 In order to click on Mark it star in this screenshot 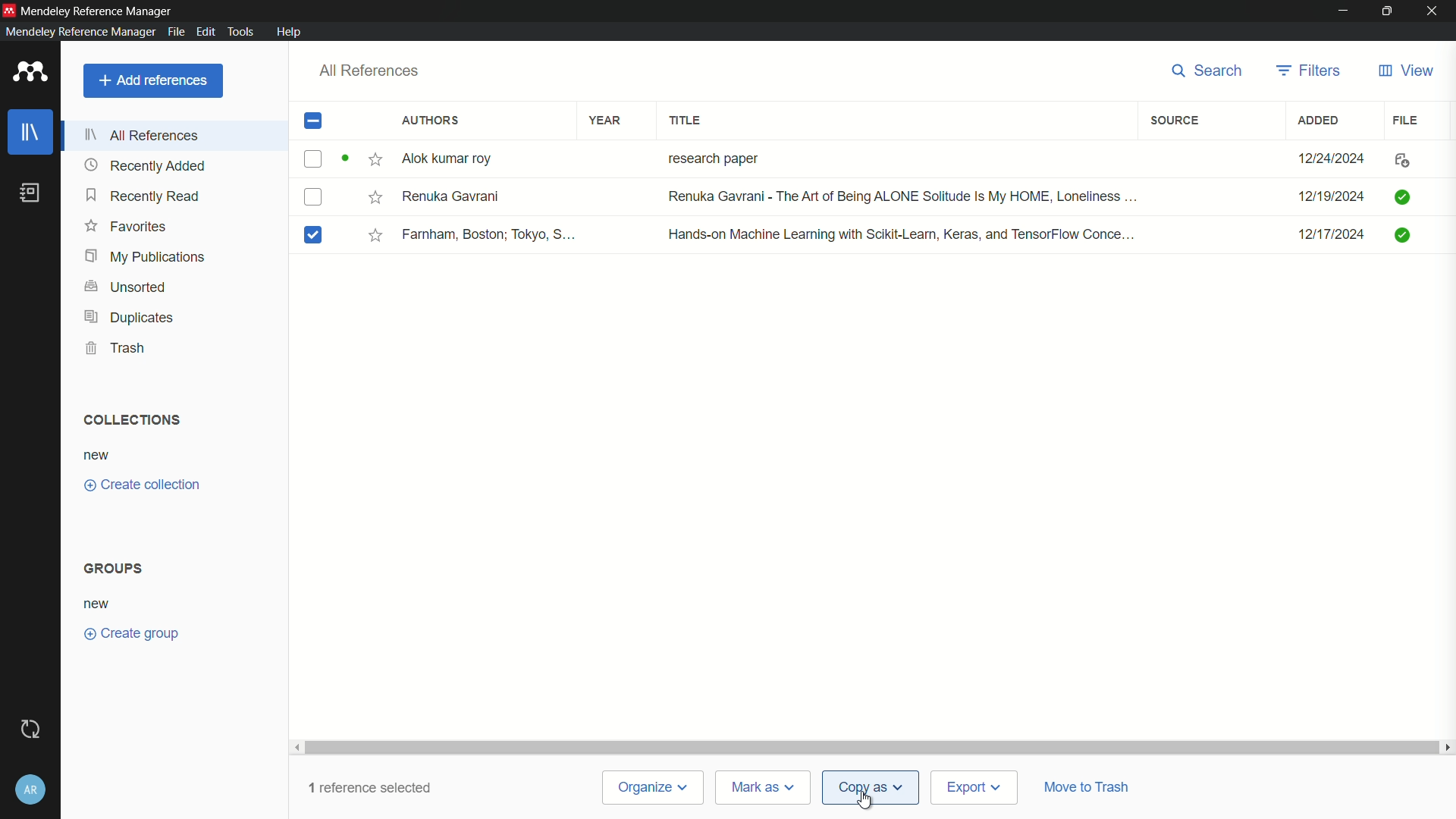, I will do `click(372, 198)`.